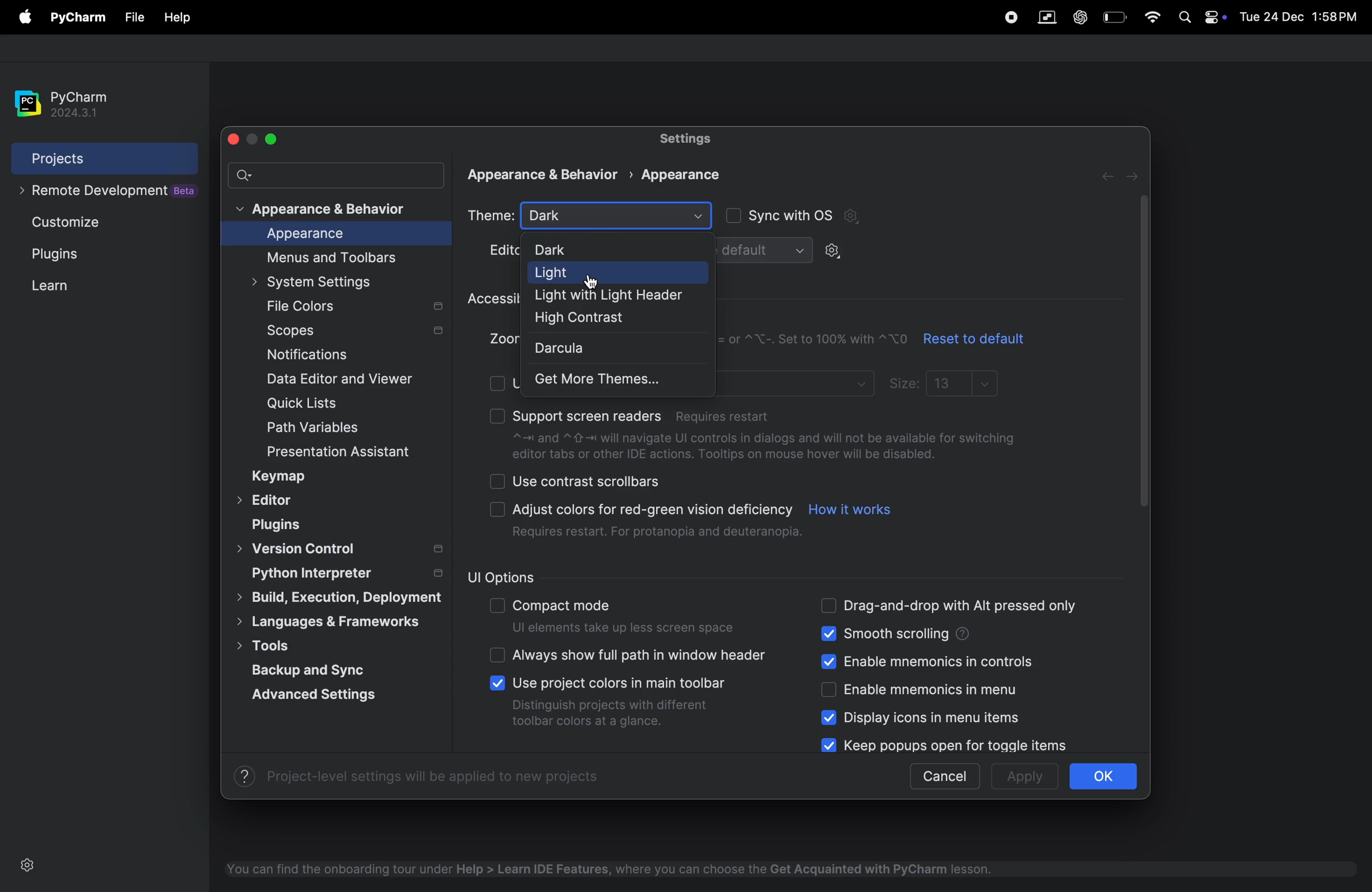  Describe the element at coordinates (767, 446) in the screenshot. I see `~= and ~{- will navigate Ul controls in dialogs and will not be available for switchingeditor tabs or other IDE actions. Tooltips on mouse hover will be disabled.` at that location.